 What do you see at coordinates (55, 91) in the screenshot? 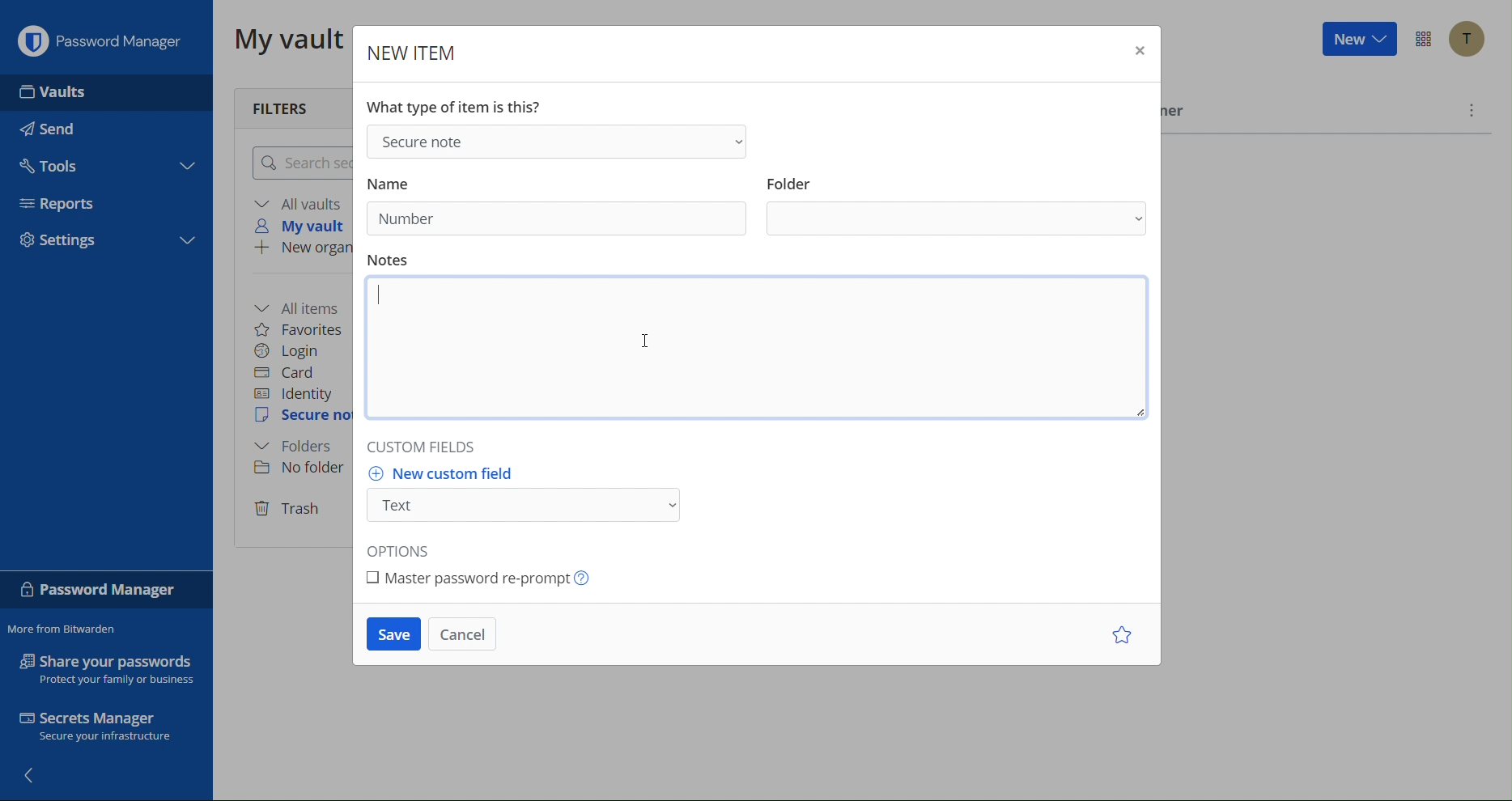
I see `Vaults` at bounding box center [55, 91].